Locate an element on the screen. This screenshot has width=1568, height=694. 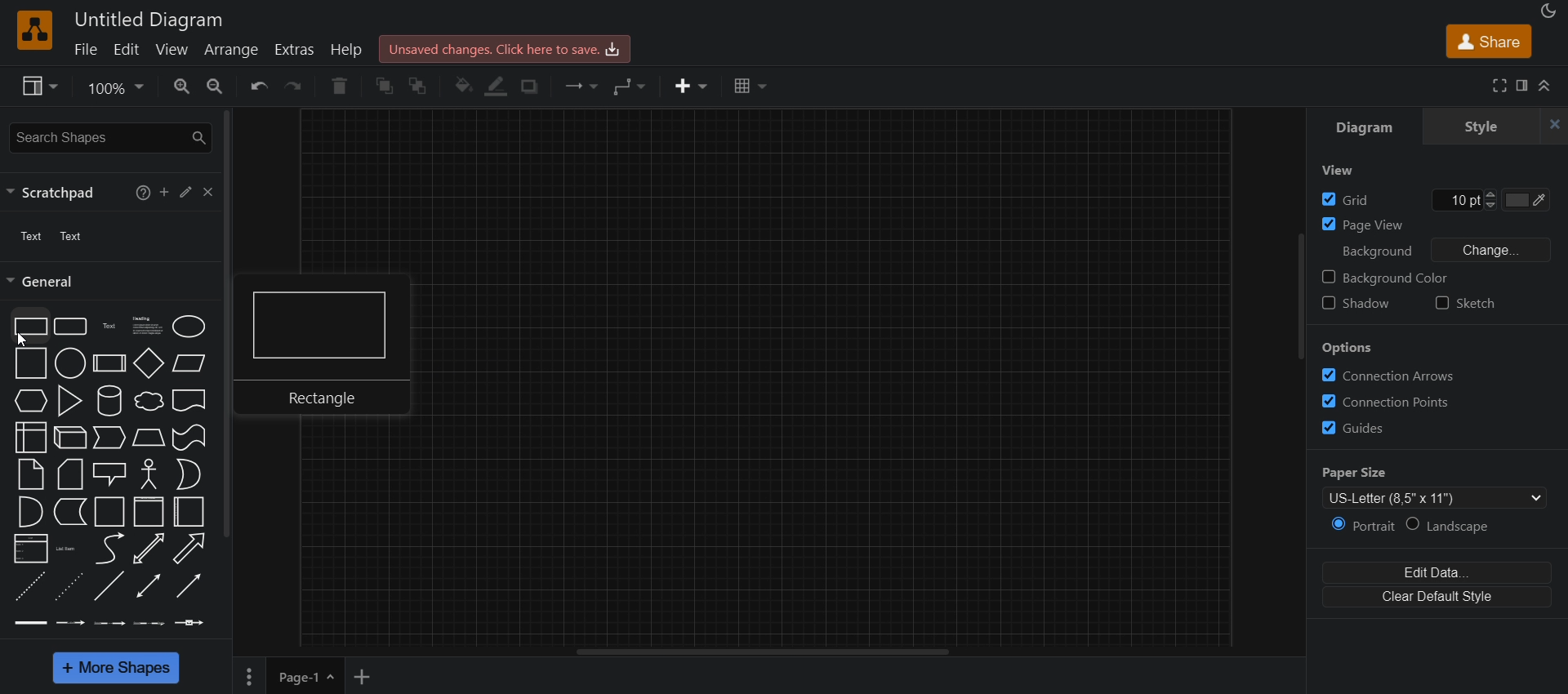
fullscreen is located at coordinates (1497, 85).